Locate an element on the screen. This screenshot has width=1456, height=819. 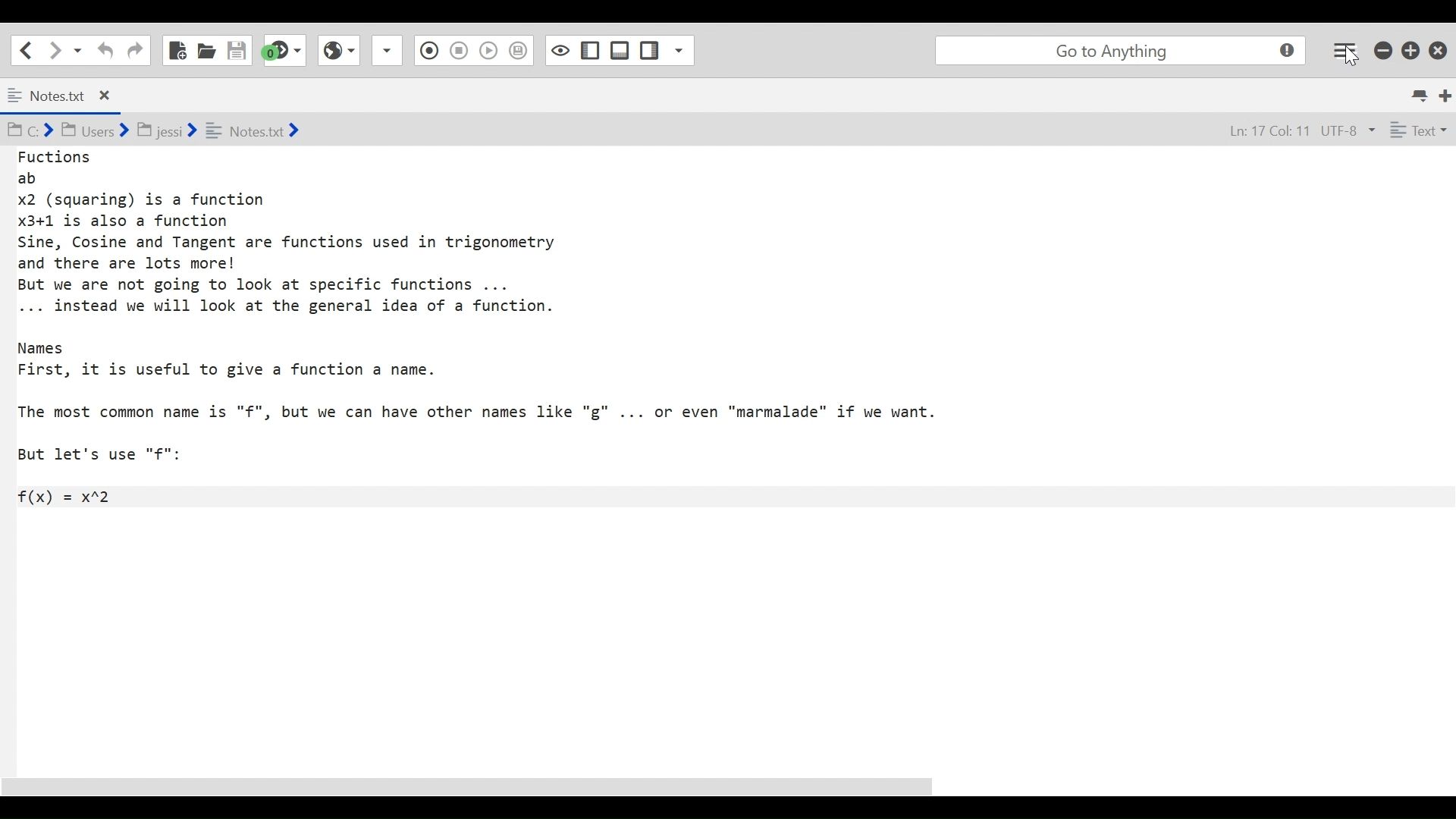
Show specific Sidepane is located at coordinates (667, 51).